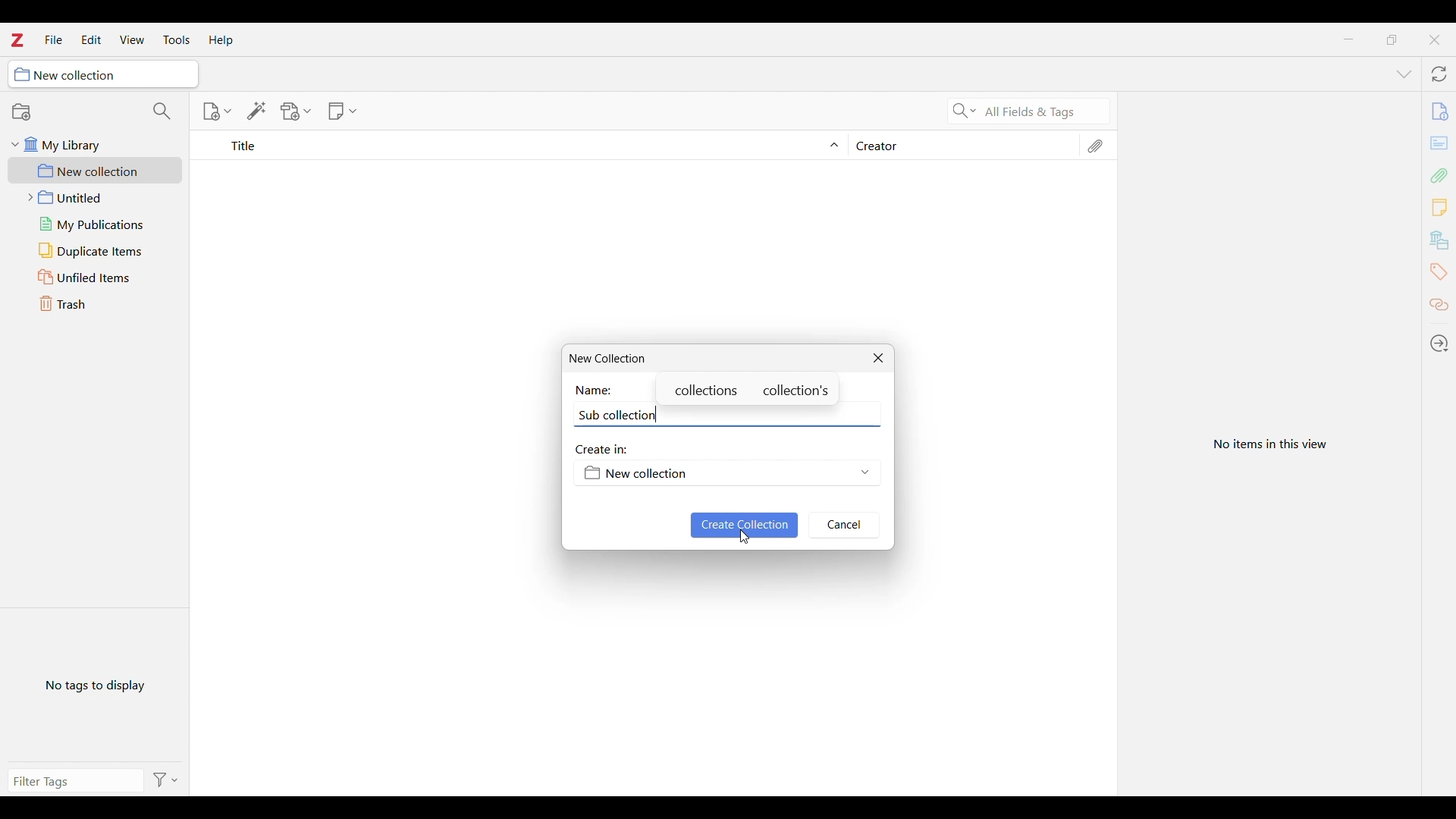 The height and width of the screenshot is (819, 1456). Describe the element at coordinates (1392, 40) in the screenshot. I see `Show interface in a smaller tab` at that location.